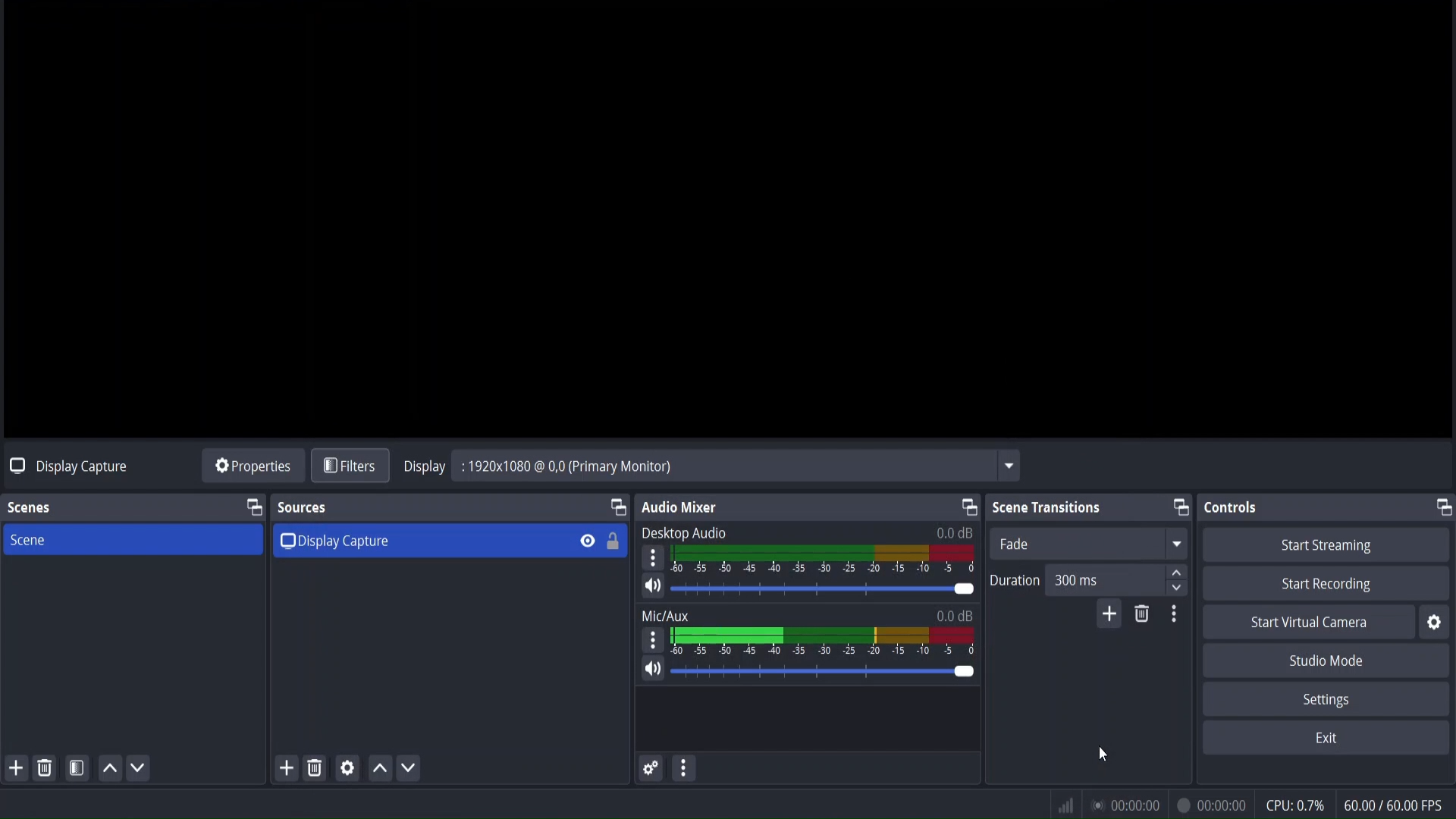 This screenshot has width=1456, height=819. What do you see at coordinates (30, 508) in the screenshot?
I see `scenes` at bounding box center [30, 508].